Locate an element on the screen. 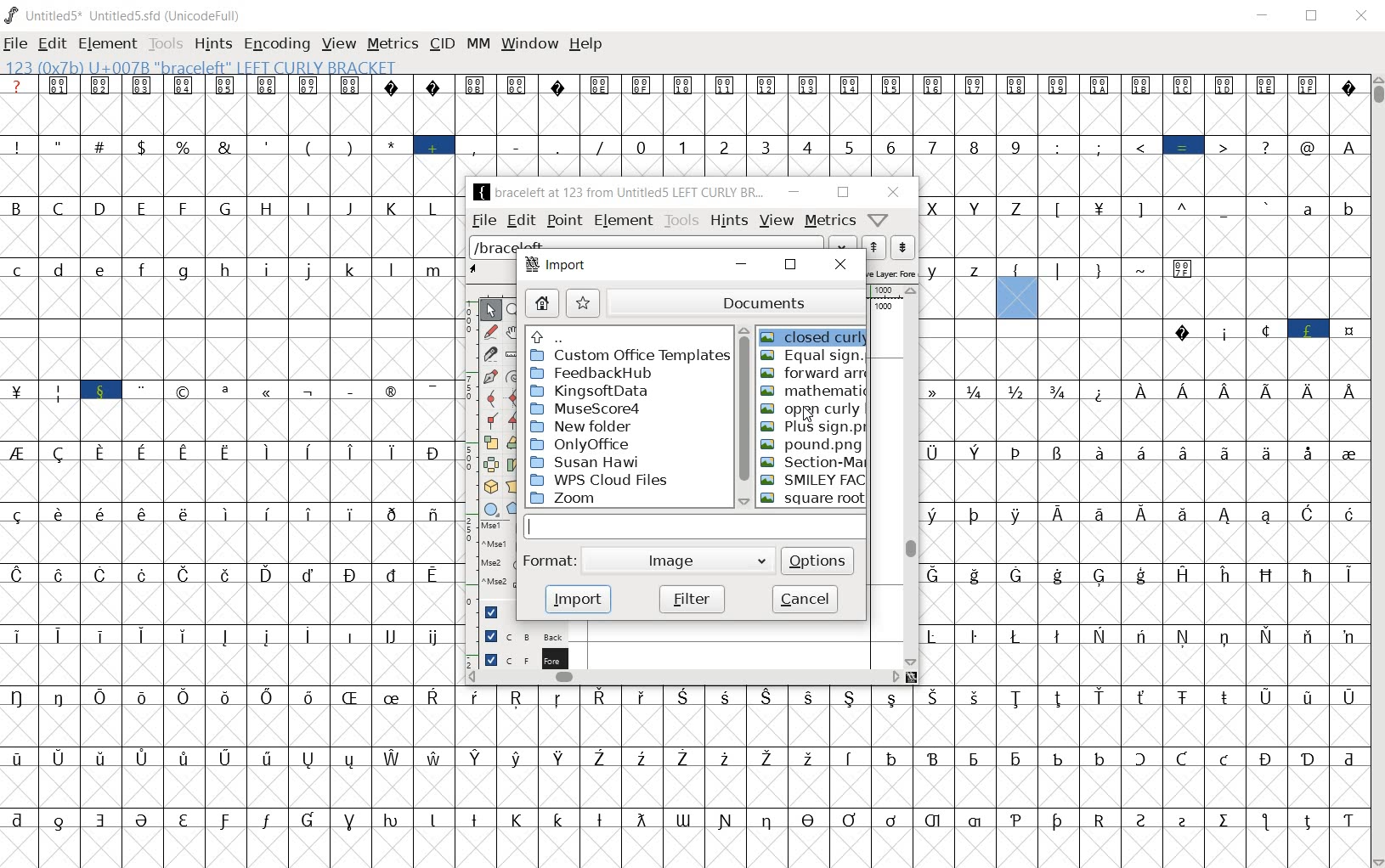 The width and height of the screenshot is (1385, 868). hints is located at coordinates (727, 222).